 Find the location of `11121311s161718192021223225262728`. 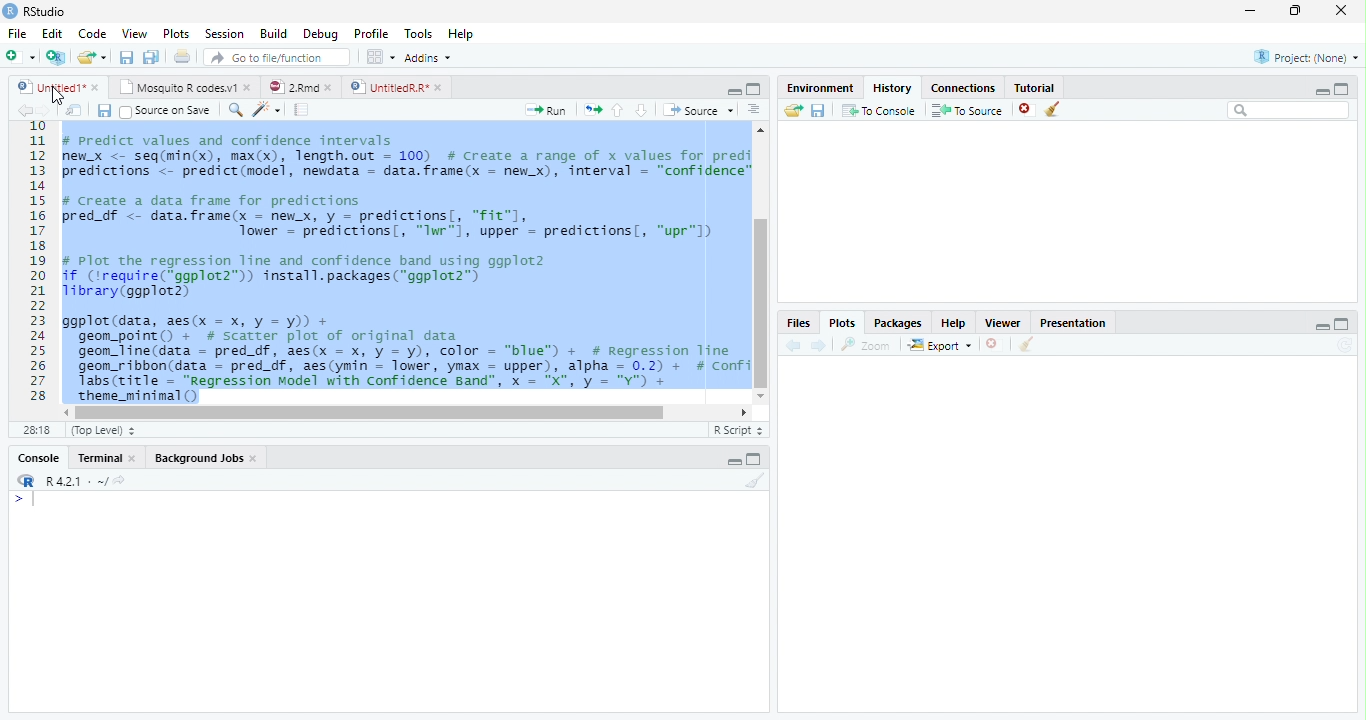

11121311s161718192021223225262728 is located at coordinates (38, 272).